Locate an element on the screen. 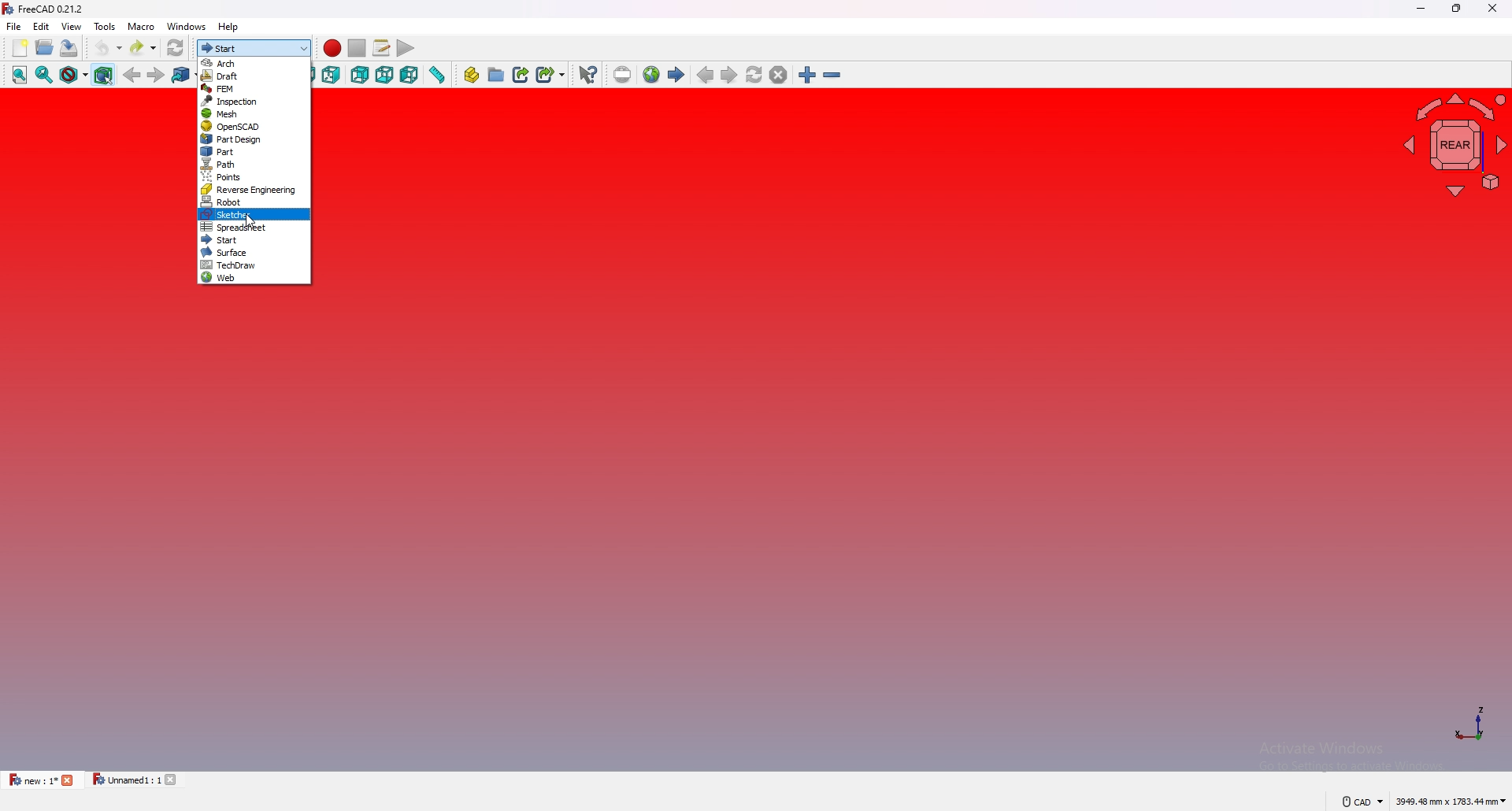 The height and width of the screenshot is (811, 1512). go to linked object is located at coordinates (187, 74).